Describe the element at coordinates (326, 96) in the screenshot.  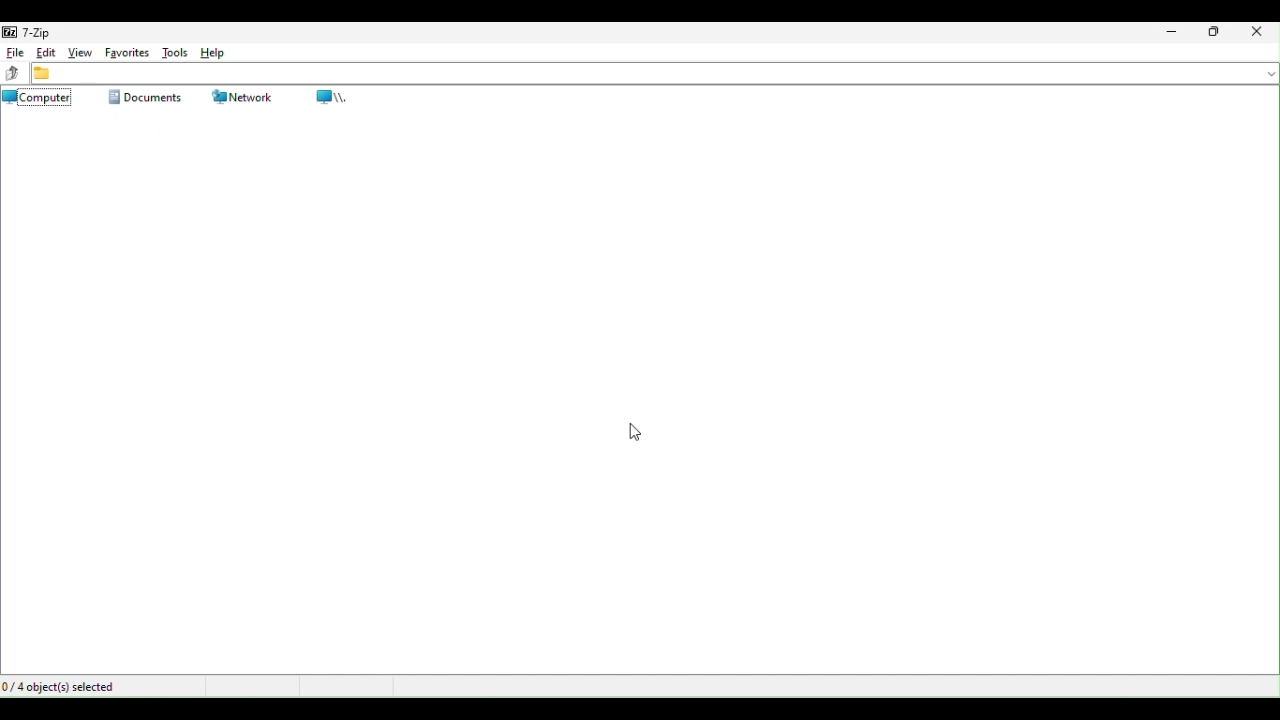
I see `root` at that location.